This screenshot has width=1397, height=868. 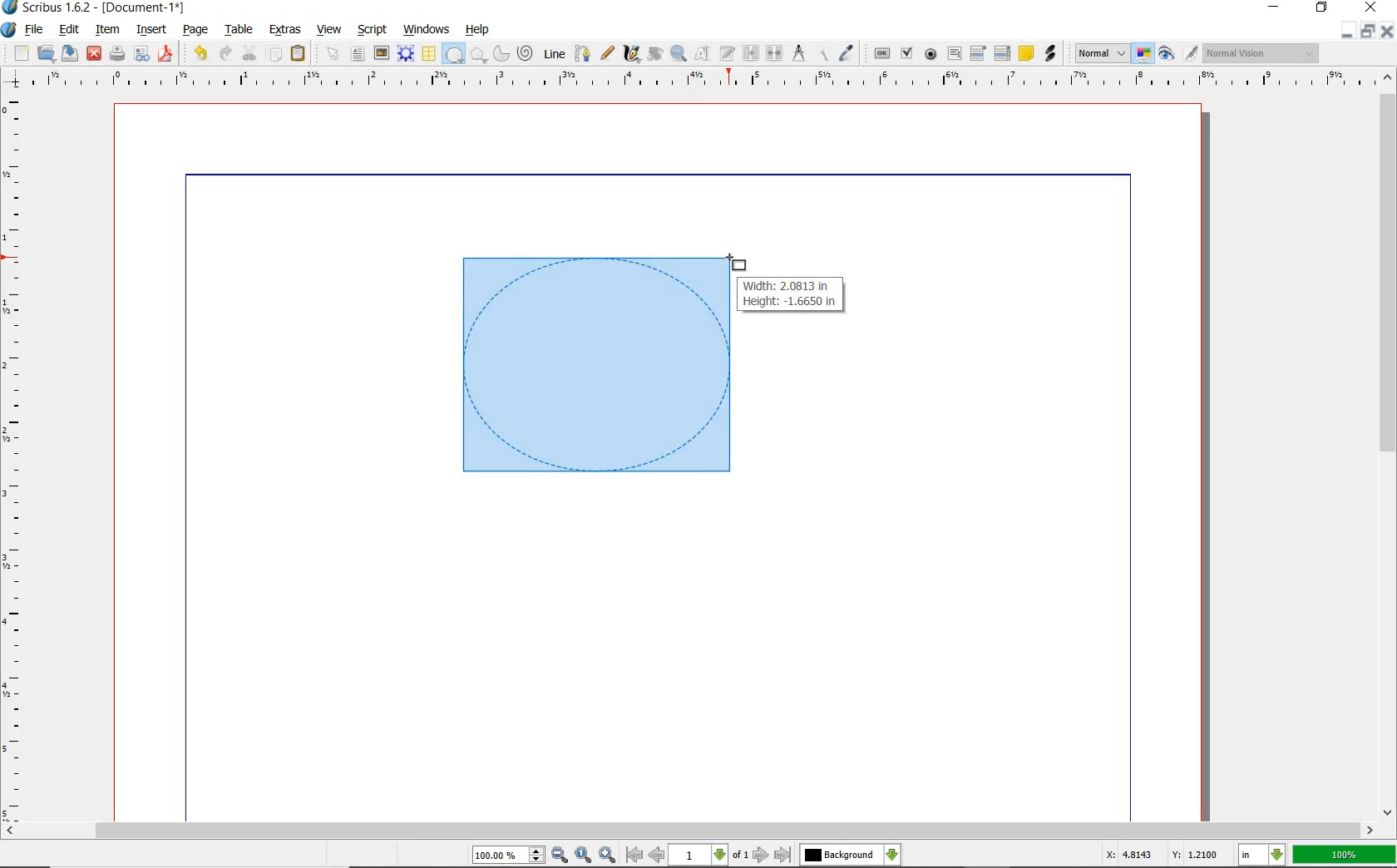 What do you see at coordinates (954, 53) in the screenshot?
I see `PDF TEXT FIELD` at bounding box center [954, 53].